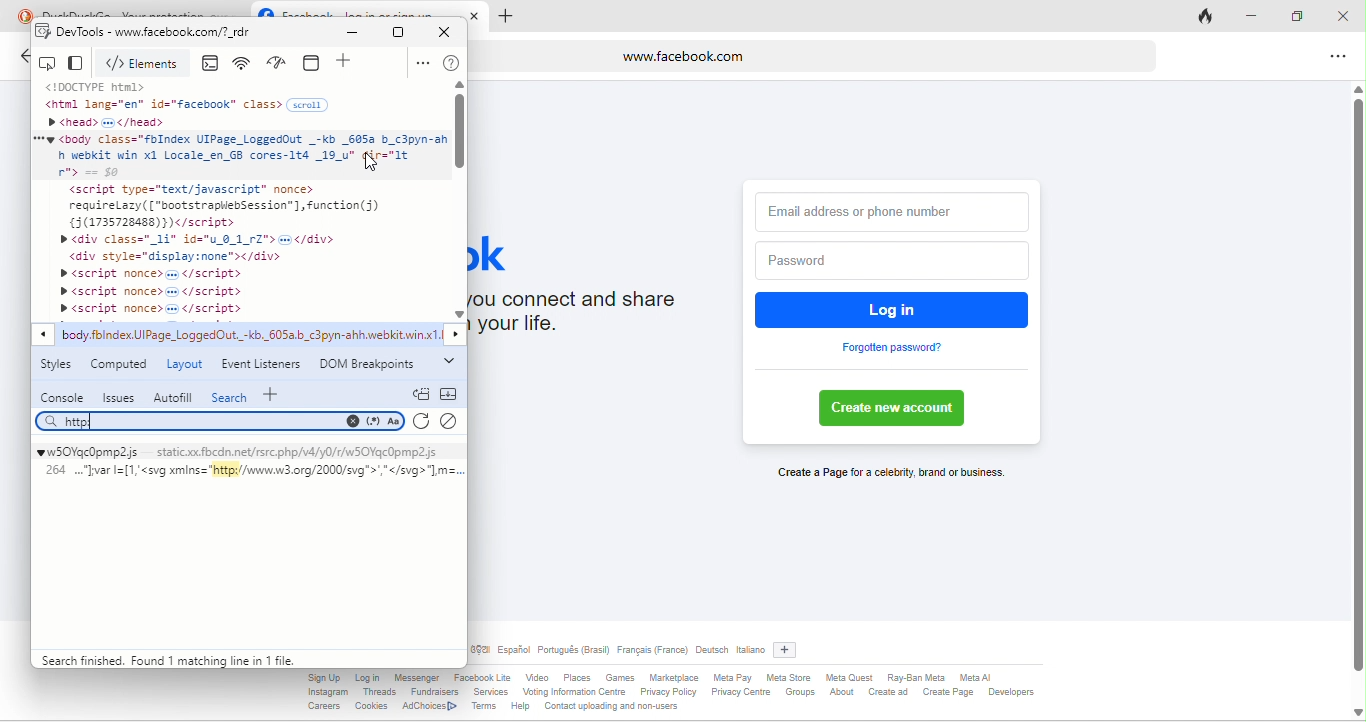 The image size is (1366, 722). I want to click on <Doctype html><html lang="en" ide"facebook” class» (scrail» <head> ww </head>+ <body class="fbIndex UIPage_LoggedOut _-kb _605a b_c3pyn-ahh webkit win x1 Locale en_GB cores-1t4 _19u" "it> == 50<script types"text/Javascript” nonce>requireLazy(["bootstraphebsession*], function(3)13(1735728488)) </script>b <div class" _1i" ids"y_0_1_rZ"> cn </div><div styles"display:none"></div>» <script nonces as </script>» <script nonces a </script>» <script nonces a </script>, so click(240, 199).